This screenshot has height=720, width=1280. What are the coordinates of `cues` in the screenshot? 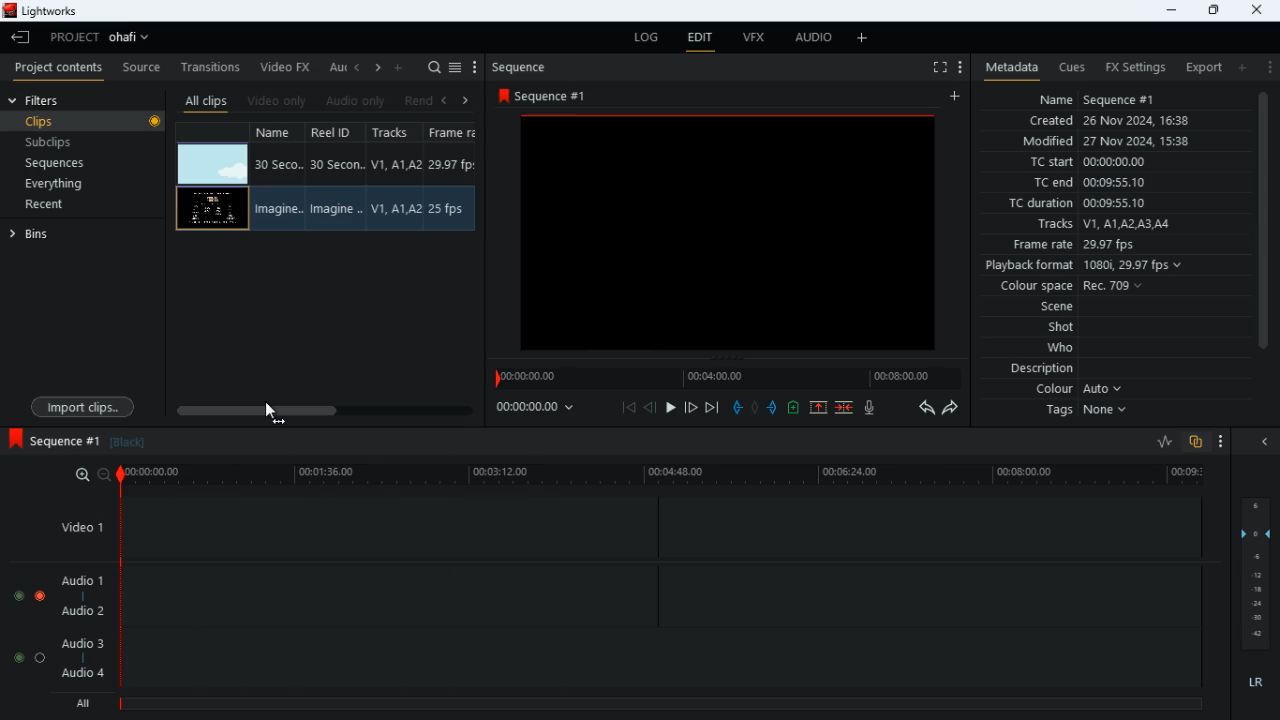 It's located at (1066, 67).